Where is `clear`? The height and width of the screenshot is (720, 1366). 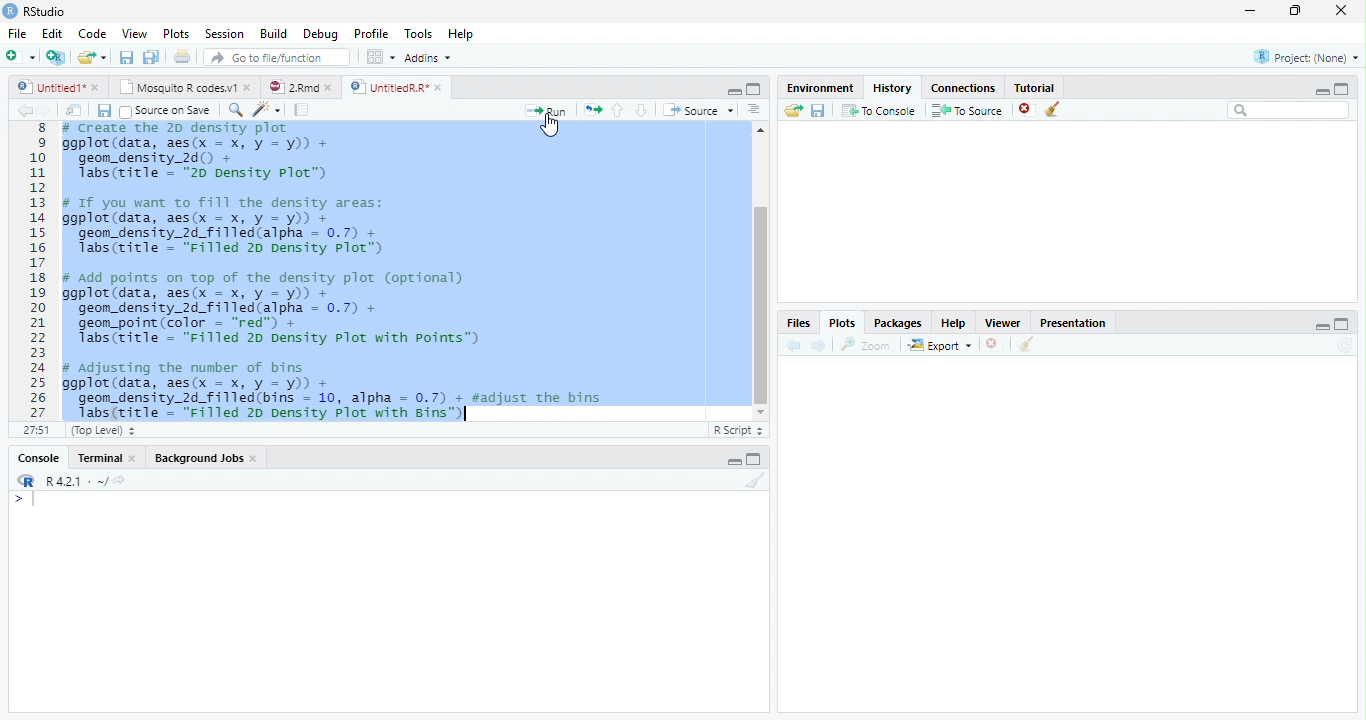
clear is located at coordinates (1026, 346).